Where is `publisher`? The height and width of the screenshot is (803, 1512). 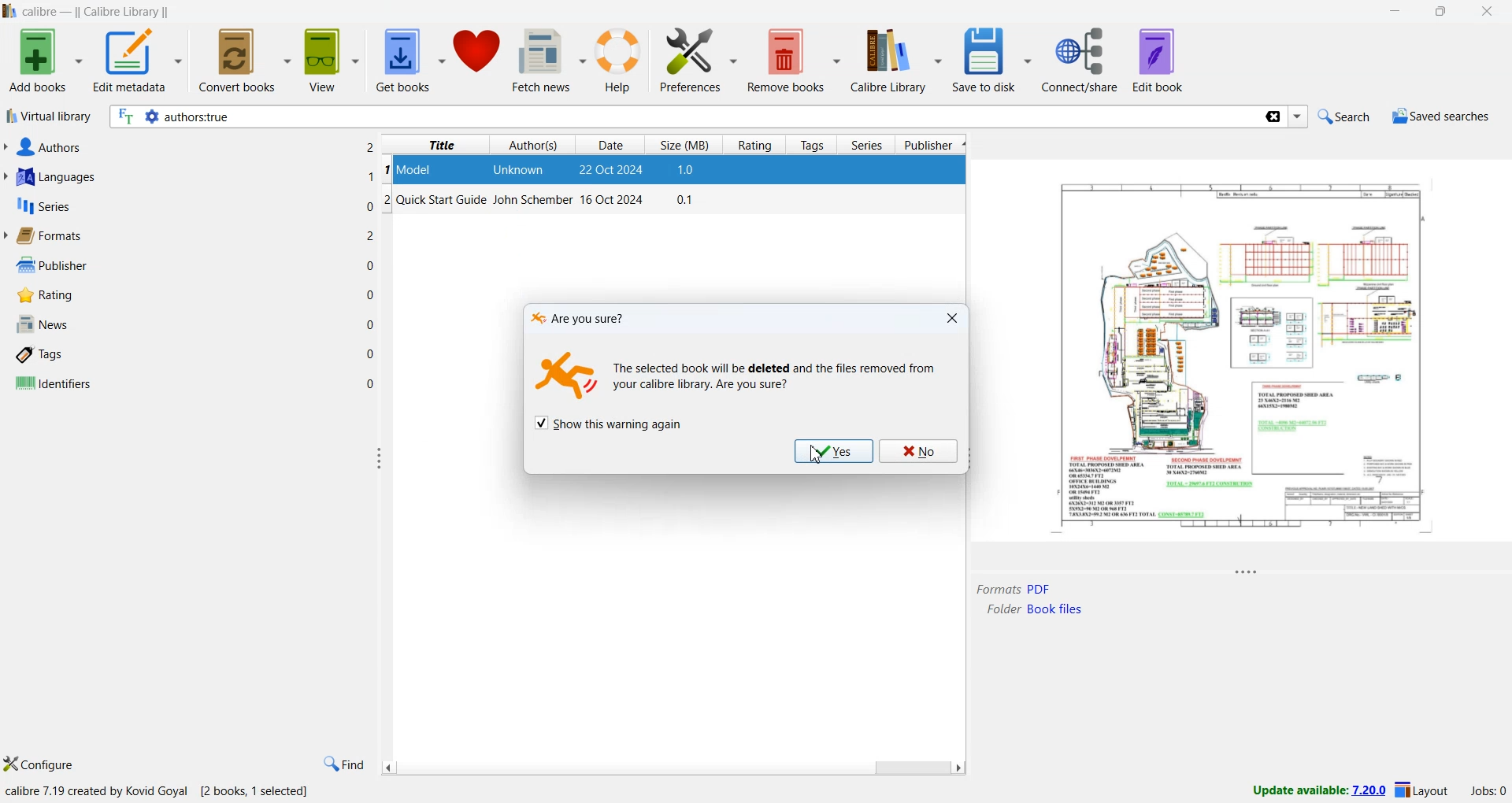 publisher is located at coordinates (932, 146).